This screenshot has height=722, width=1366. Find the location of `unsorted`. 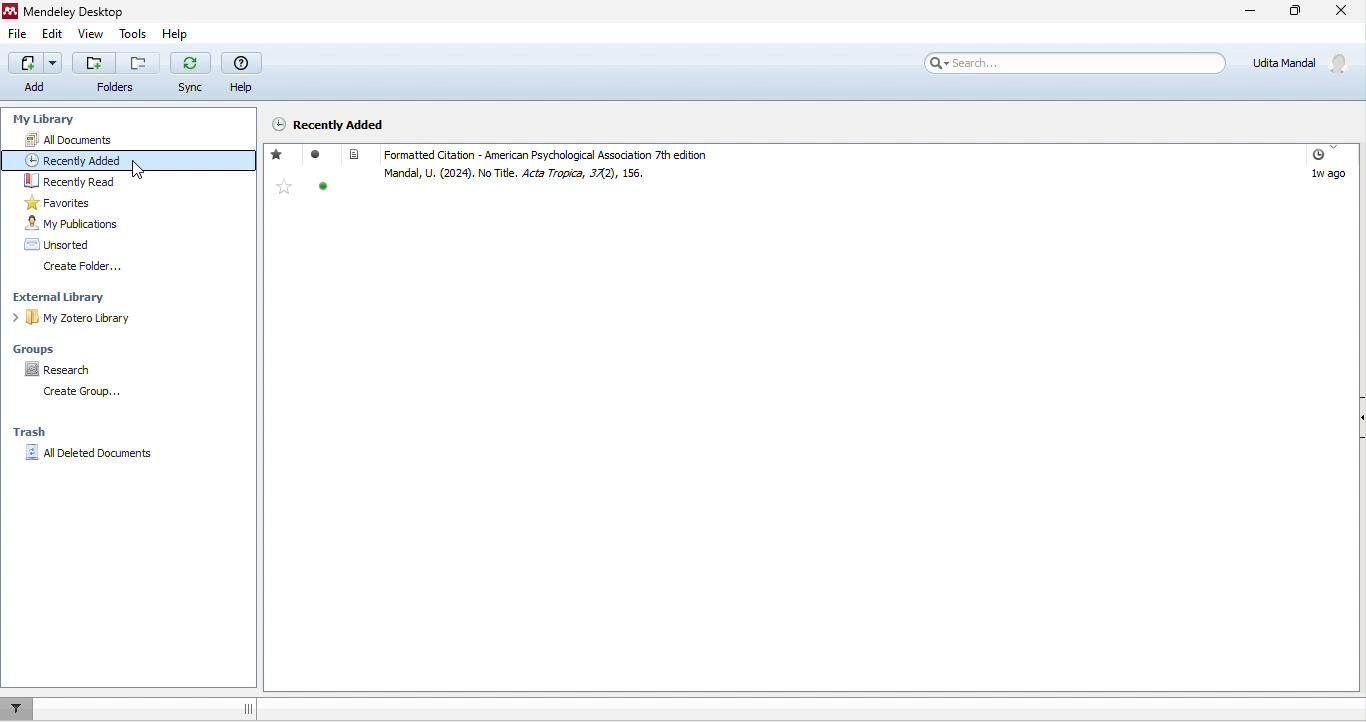

unsorted is located at coordinates (56, 244).